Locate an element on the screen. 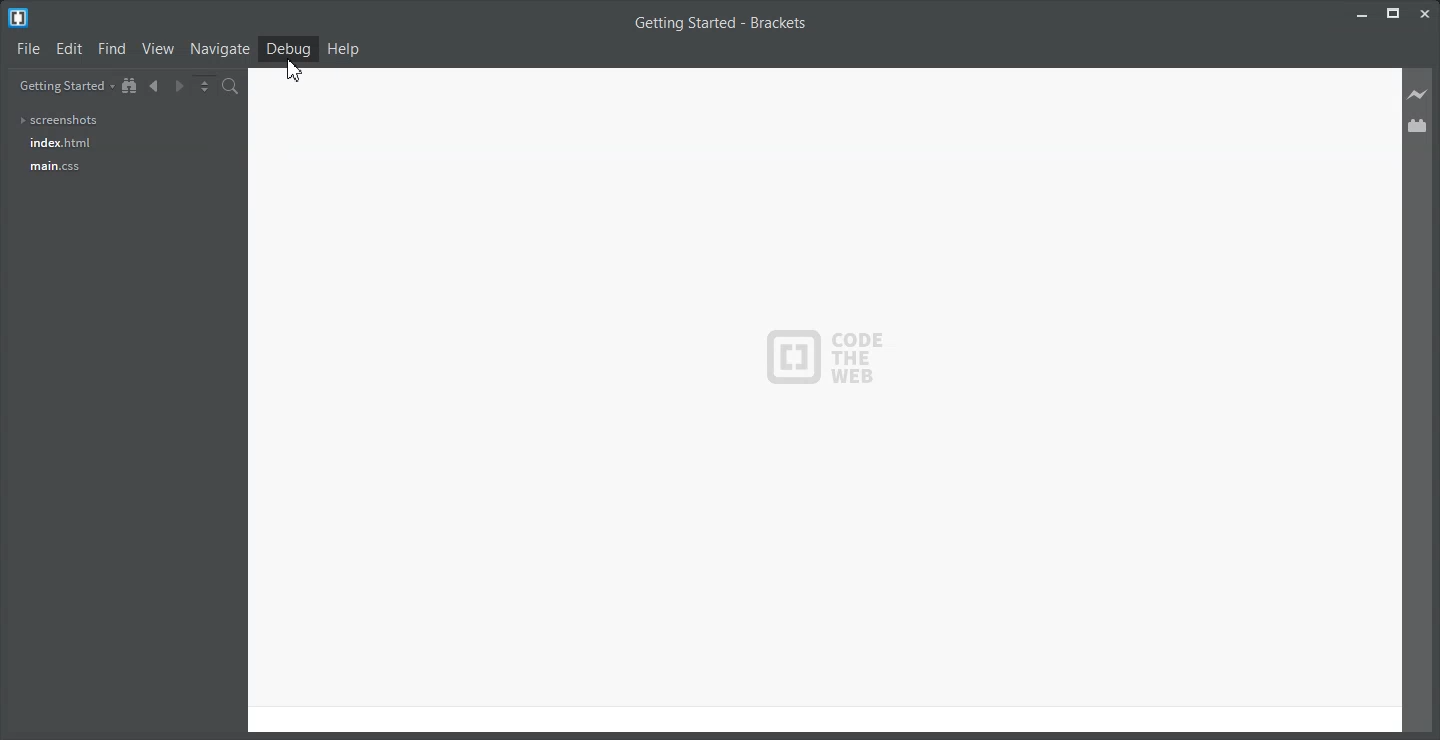 The image size is (1440, 740). Navigate is located at coordinates (221, 49).